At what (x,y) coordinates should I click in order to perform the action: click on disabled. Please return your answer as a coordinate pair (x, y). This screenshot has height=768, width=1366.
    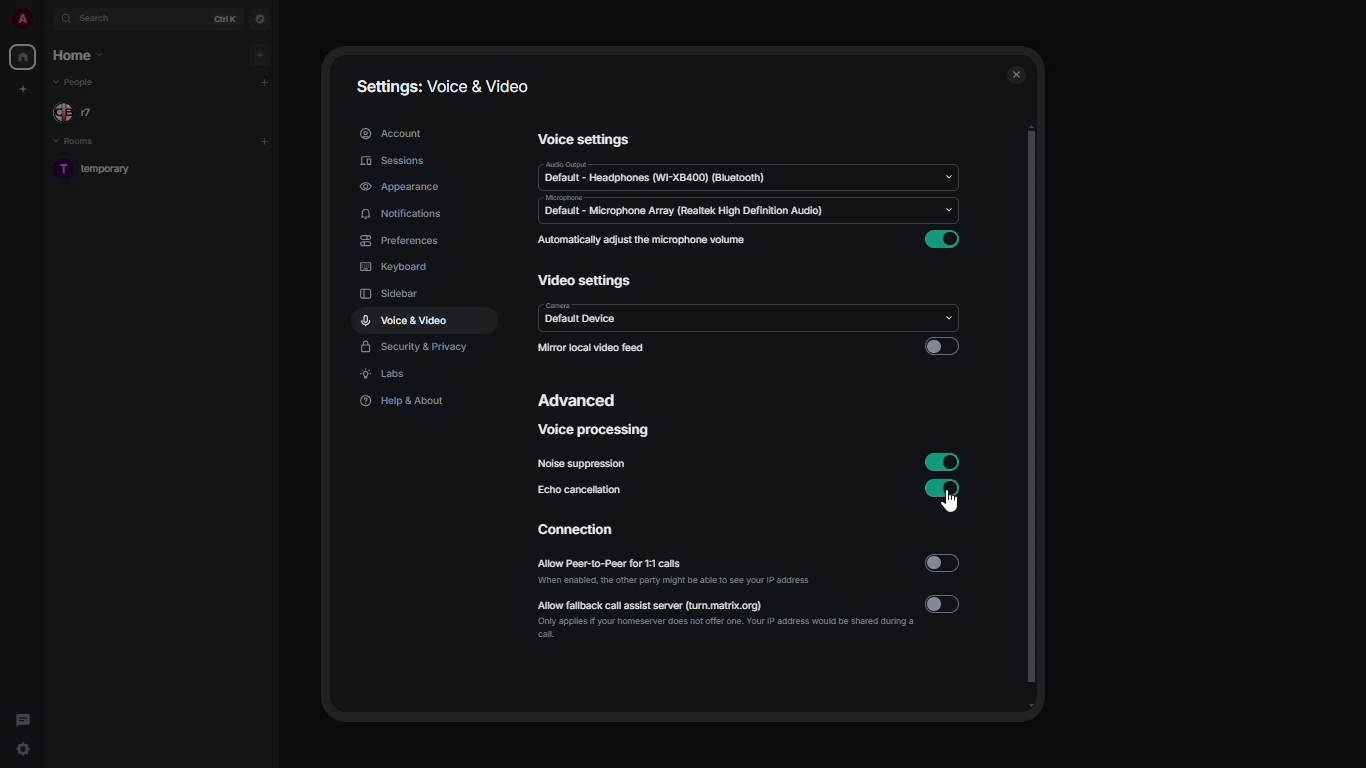
    Looking at the image, I should click on (947, 605).